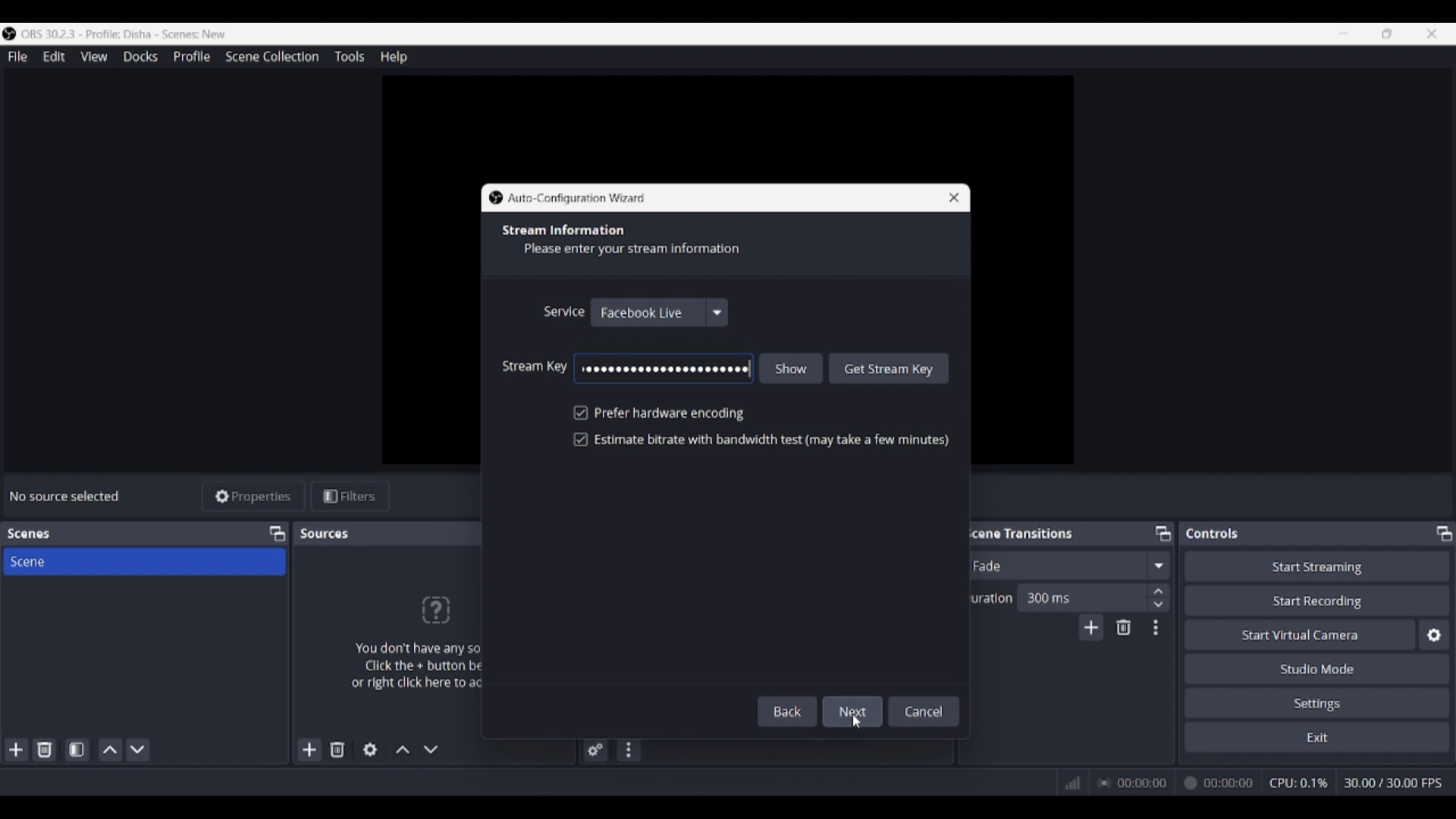 Image resolution: width=1456 pixels, height=819 pixels. Describe the element at coordinates (431, 749) in the screenshot. I see `Move source down` at that location.